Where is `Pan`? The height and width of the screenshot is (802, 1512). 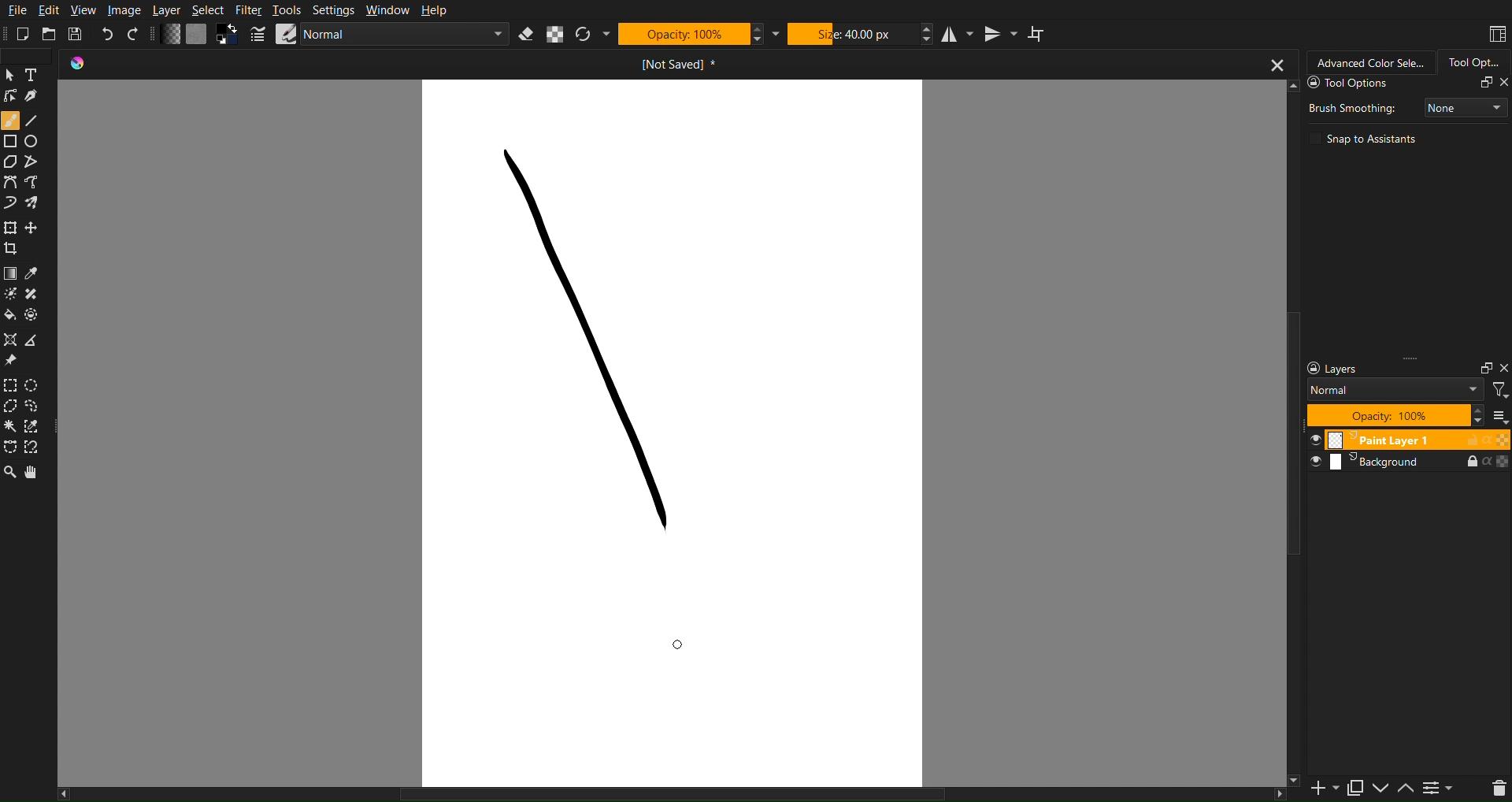 Pan is located at coordinates (39, 473).